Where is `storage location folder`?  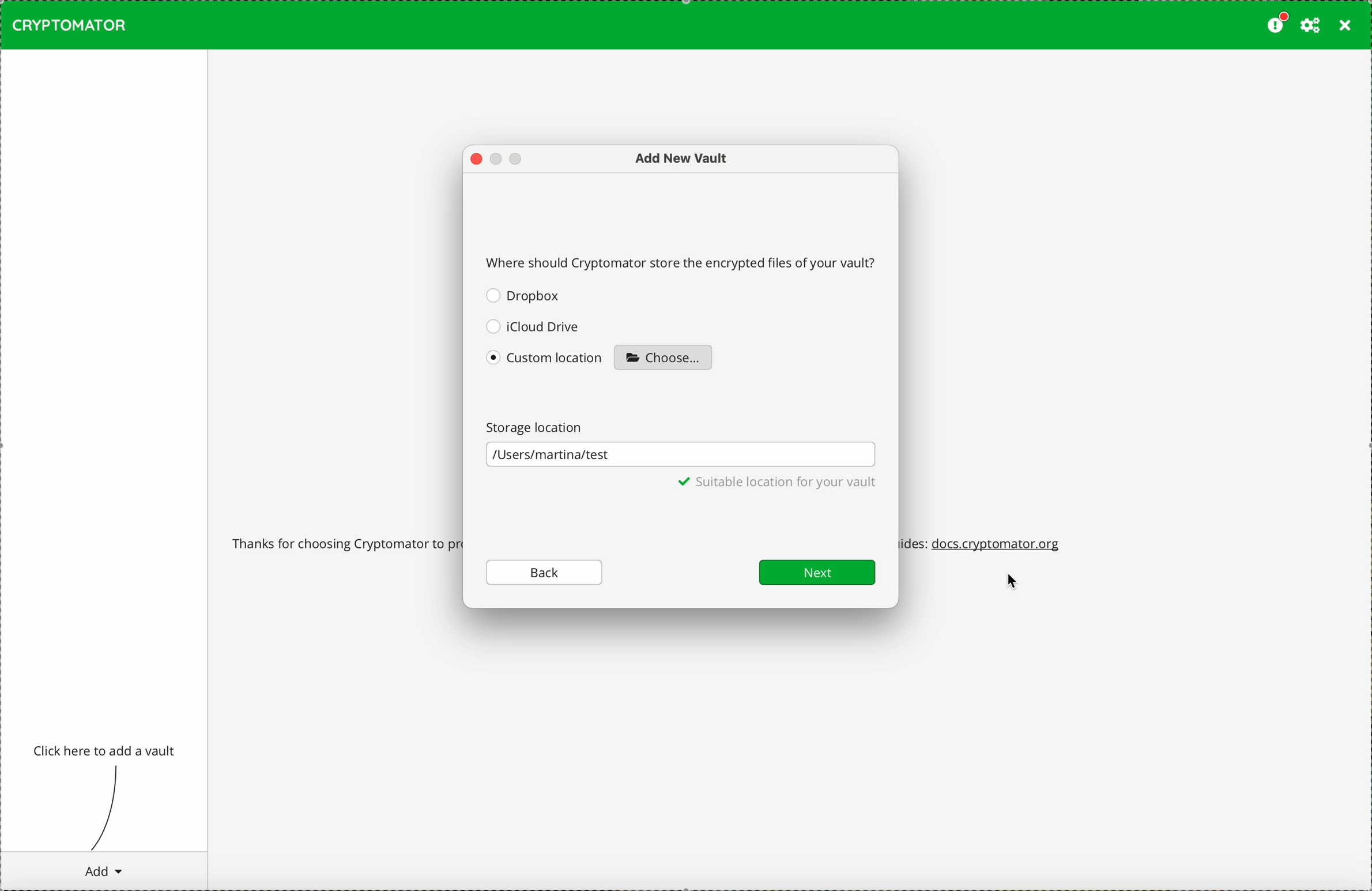
storage location folder is located at coordinates (680, 455).